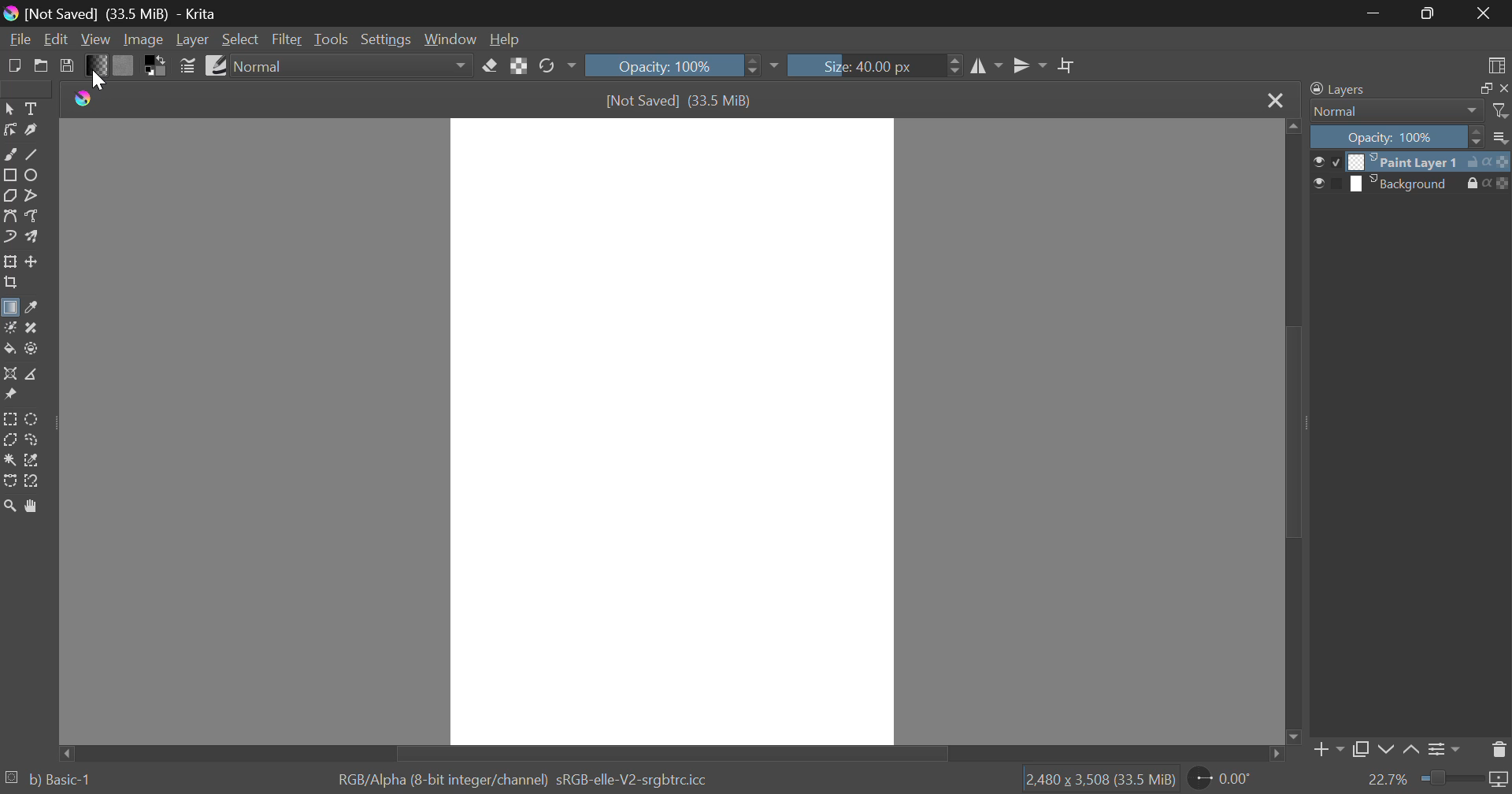 This screenshot has width=1512, height=794. I want to click on 12,480 x 3,508 (33.5 MiB), so click(1099, 779).